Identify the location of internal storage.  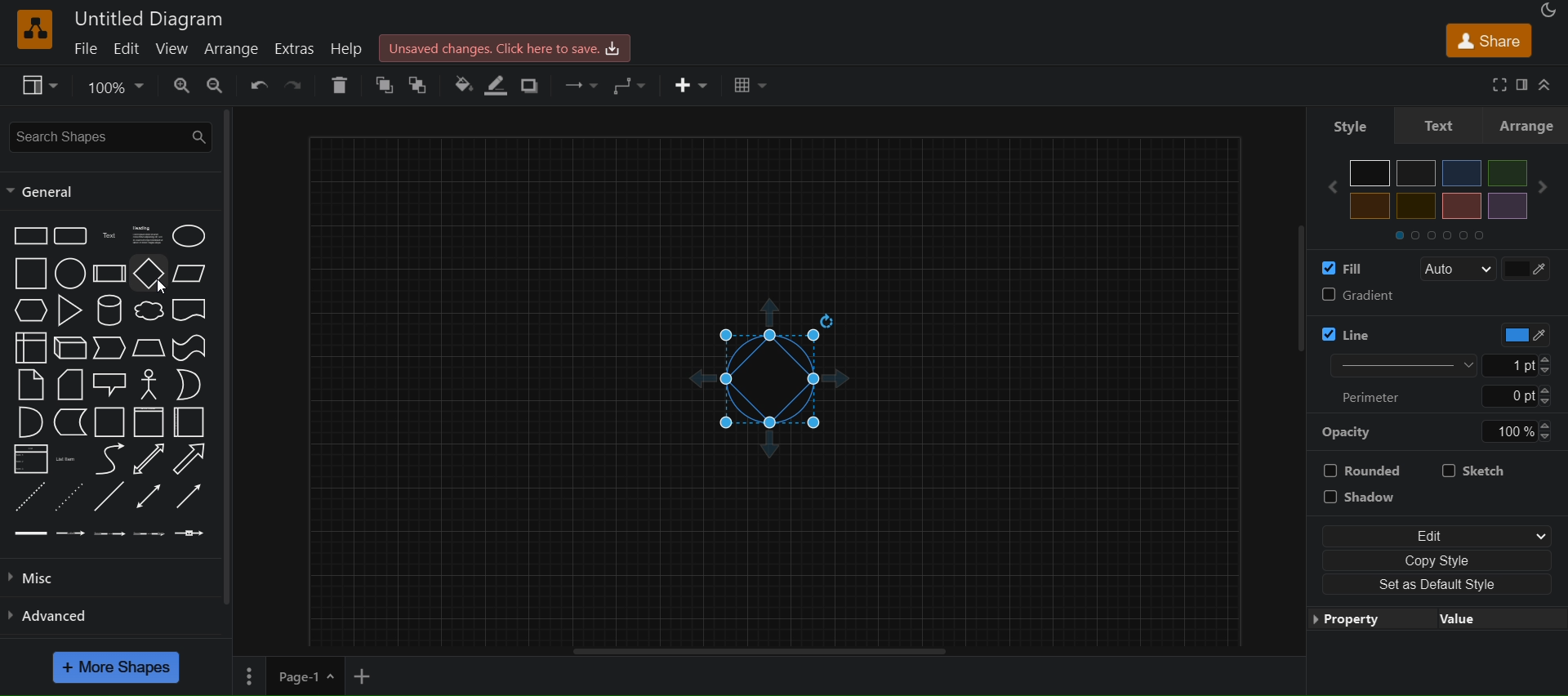
(29, 346).